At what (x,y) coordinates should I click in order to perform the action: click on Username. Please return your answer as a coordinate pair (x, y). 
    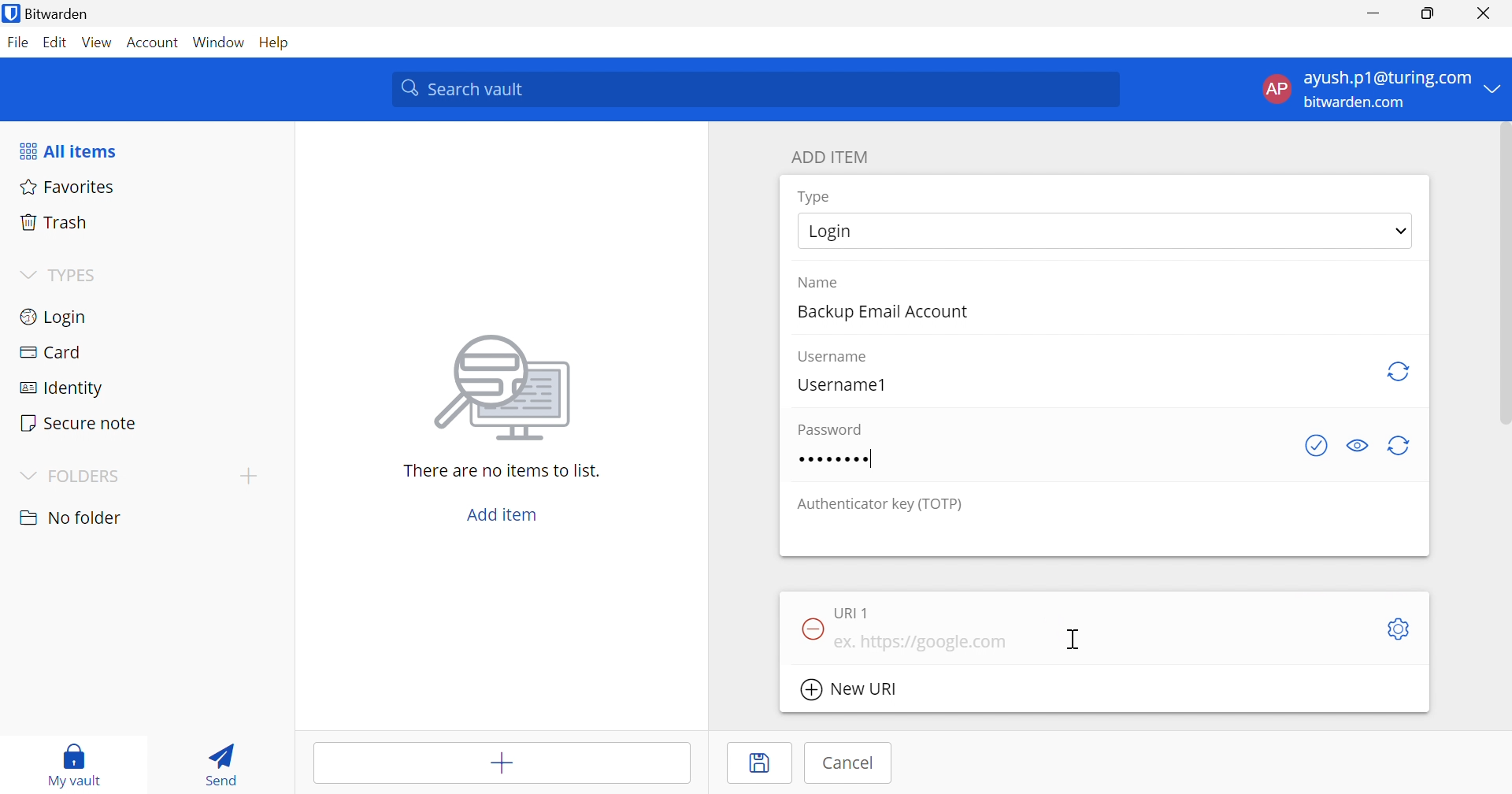
    Looking at the image, I should click on (835, 358).